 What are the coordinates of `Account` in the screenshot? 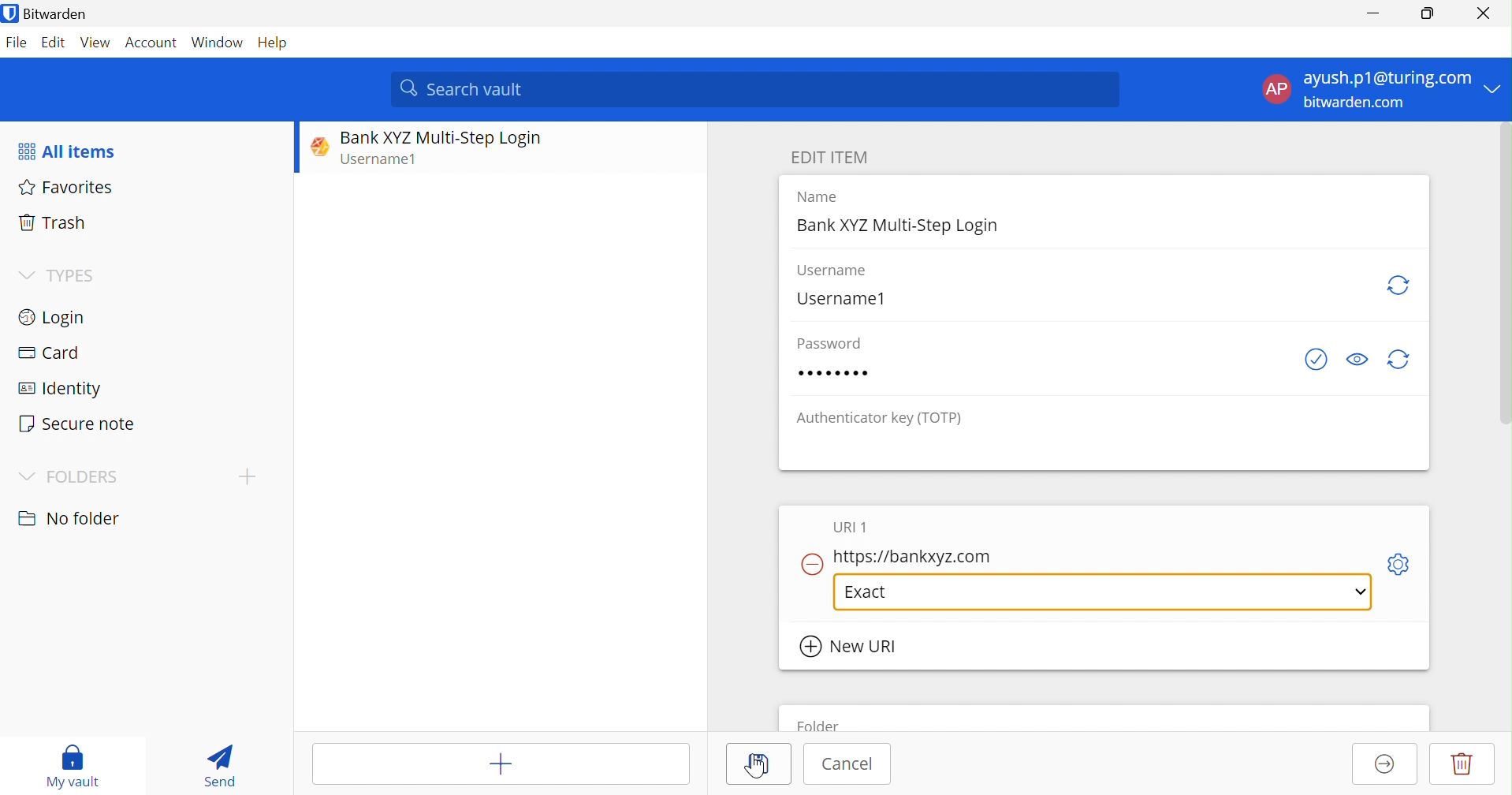 It's located at (154, 46).